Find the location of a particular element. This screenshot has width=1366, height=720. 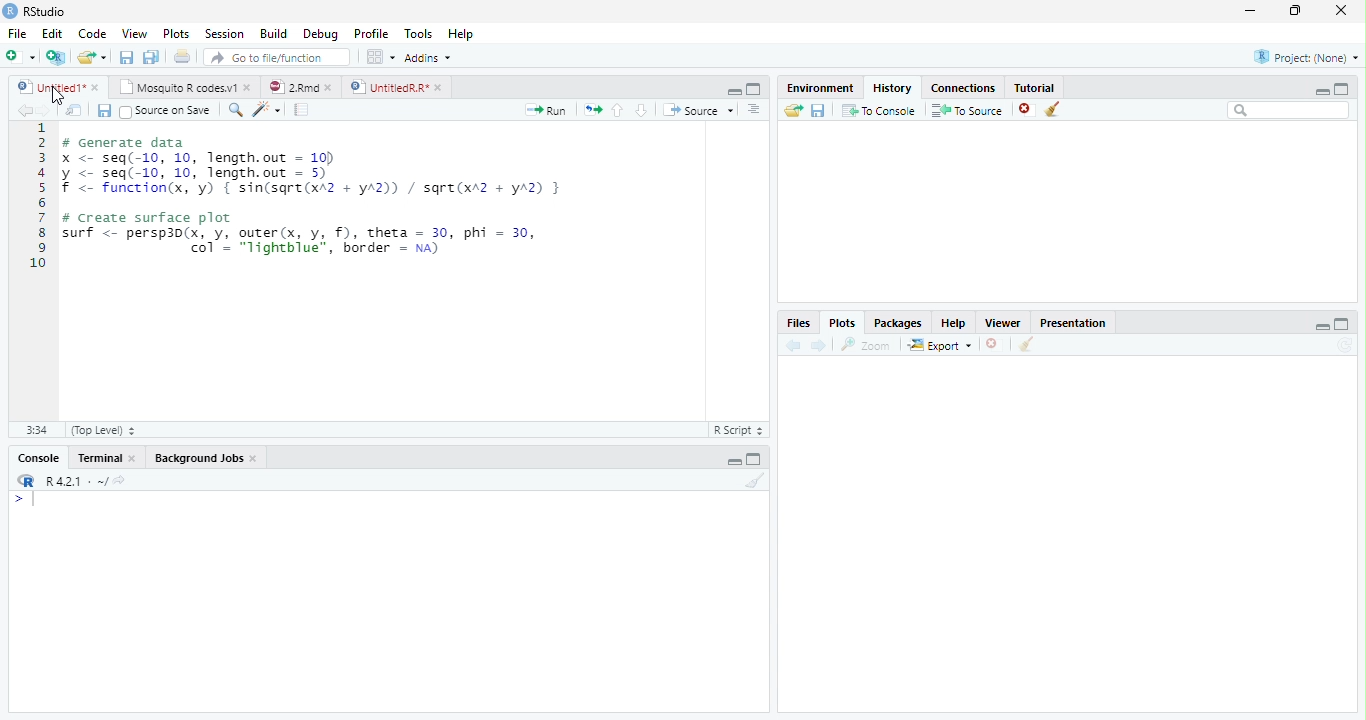

Zoom is located at coordinates (865, 345).